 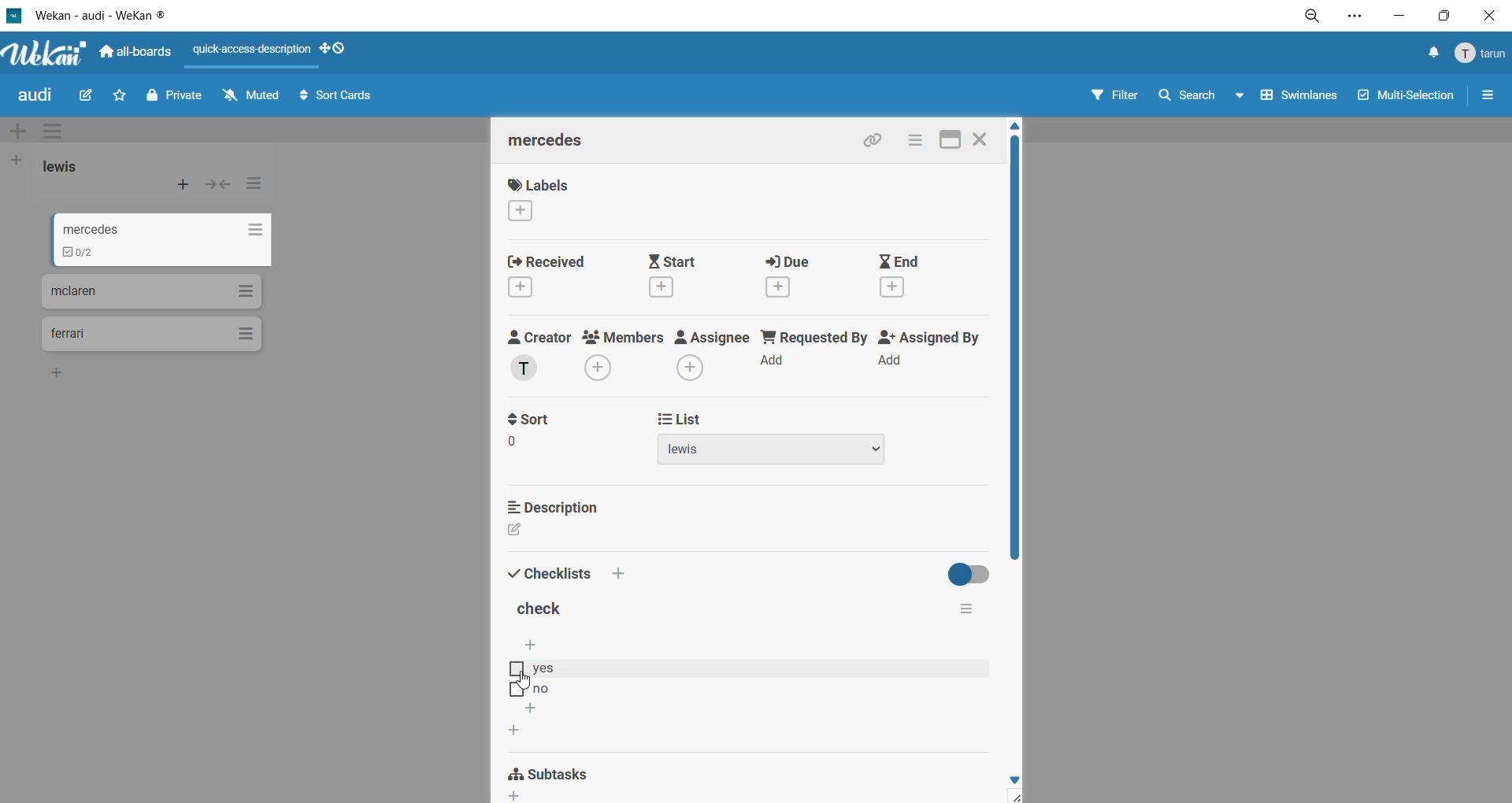 What do you see at coordinates (260, 185) in the screenshot?
I see `list actions` at bounding box center [260, 185].